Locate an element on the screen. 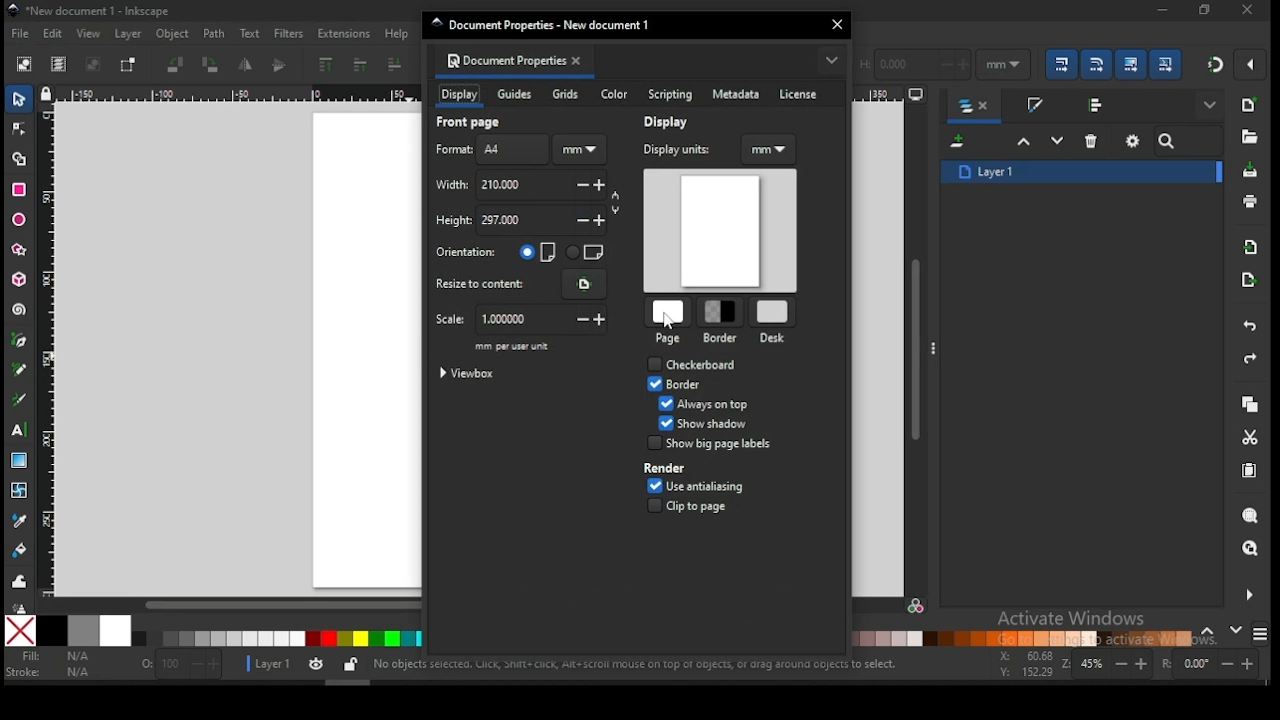  icon and filename is located at coordinates (90, 11).